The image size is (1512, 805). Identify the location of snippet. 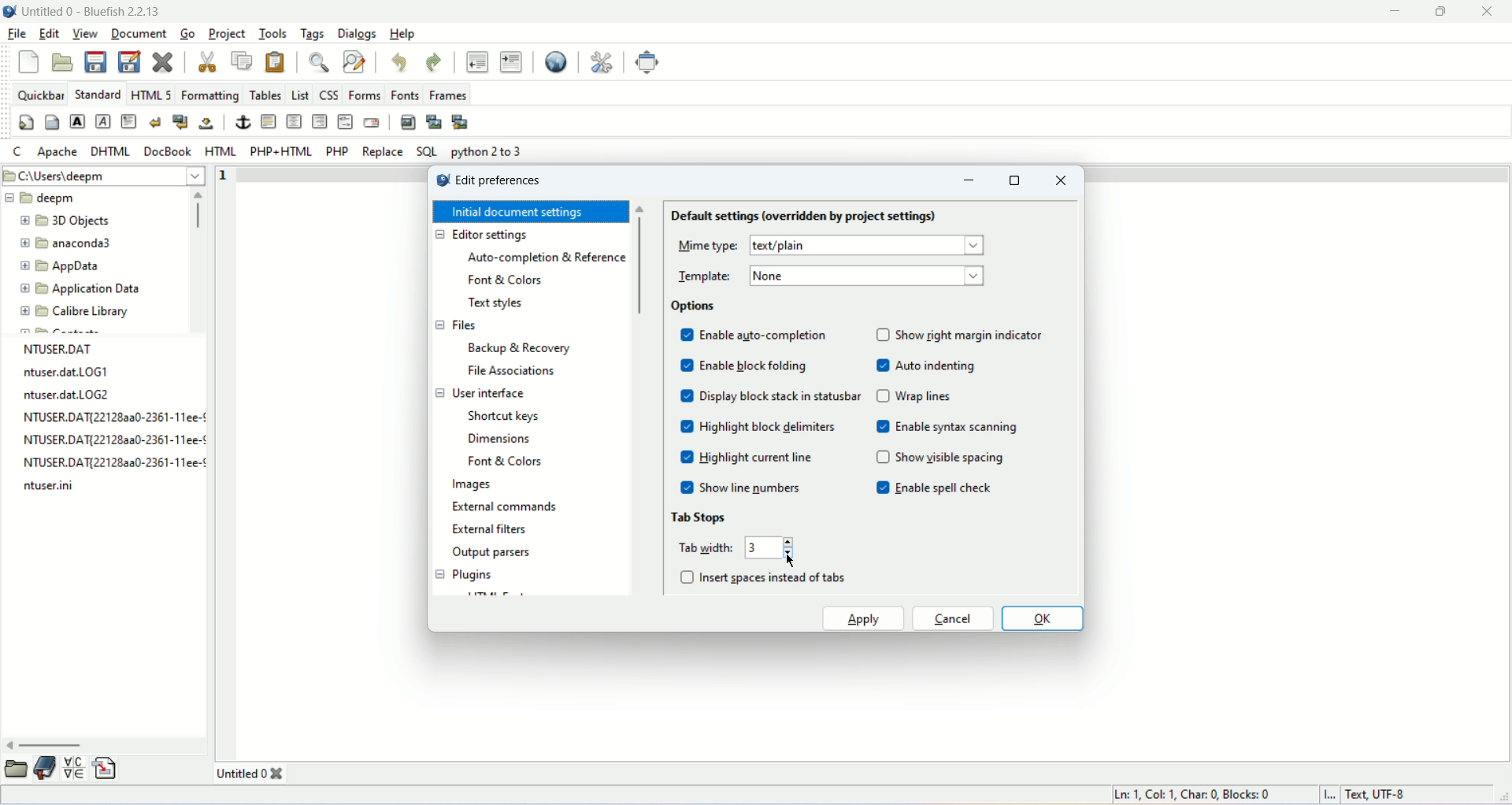
(106, 768).